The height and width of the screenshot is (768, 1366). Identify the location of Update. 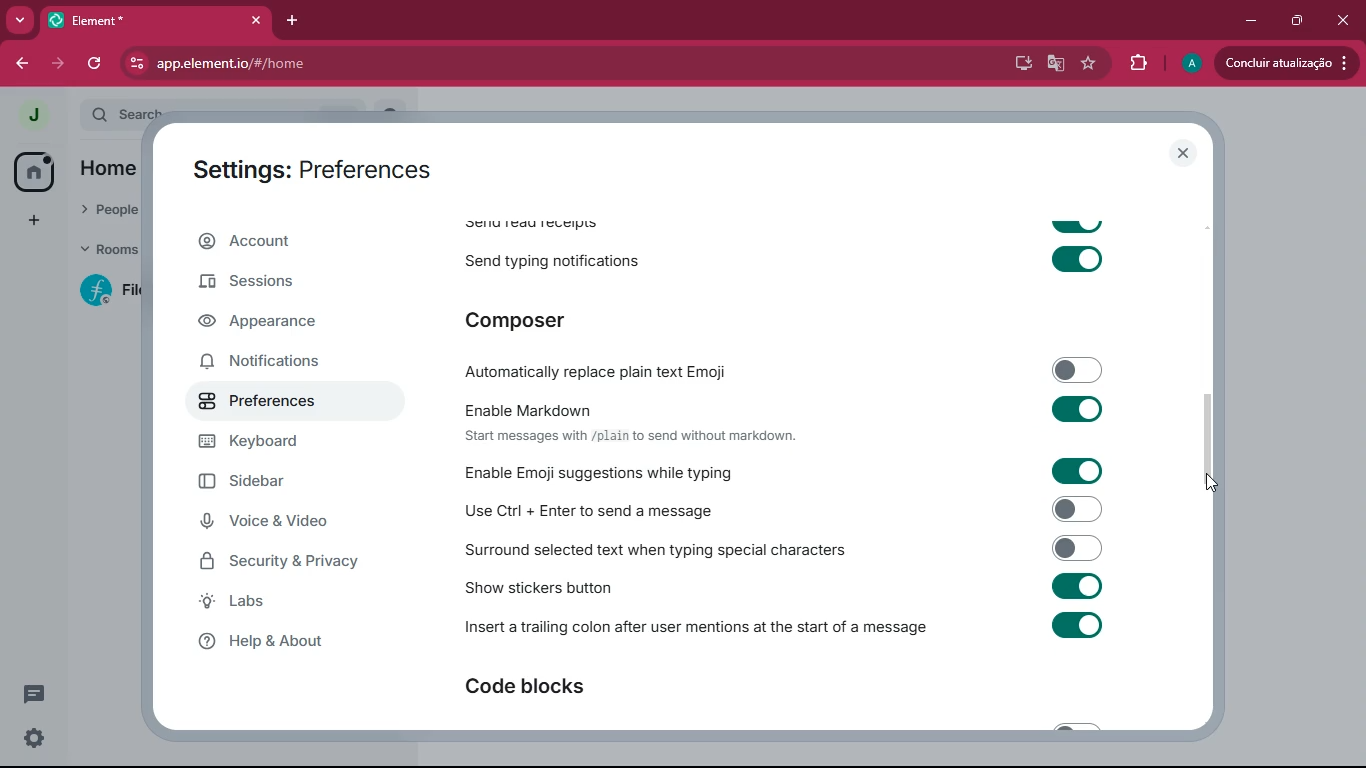
(1289, 63).